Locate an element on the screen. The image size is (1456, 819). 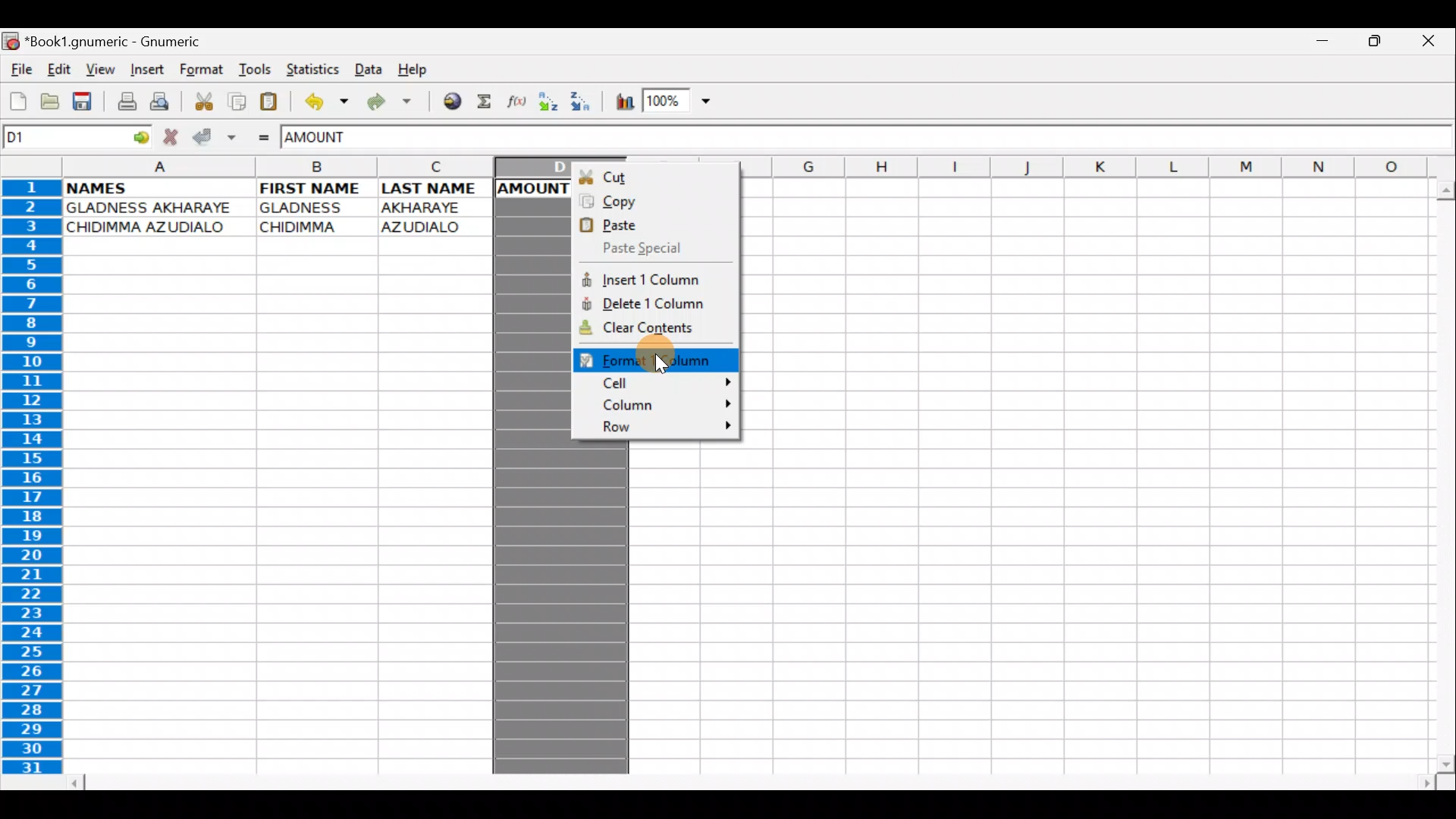
go to is located at coordinates (144, 138).